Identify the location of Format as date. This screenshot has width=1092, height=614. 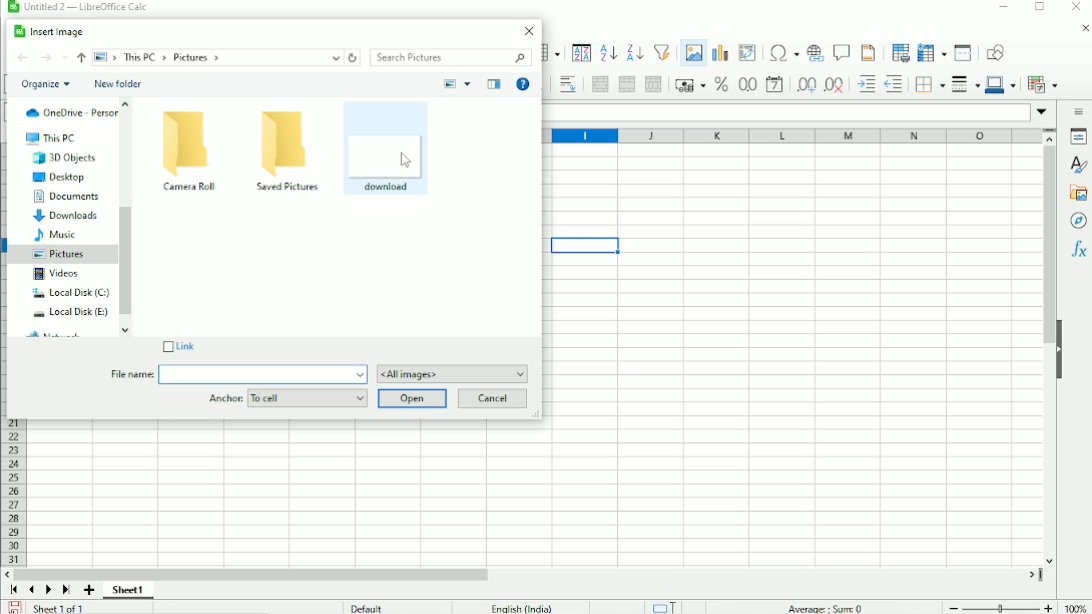
(774, 85).